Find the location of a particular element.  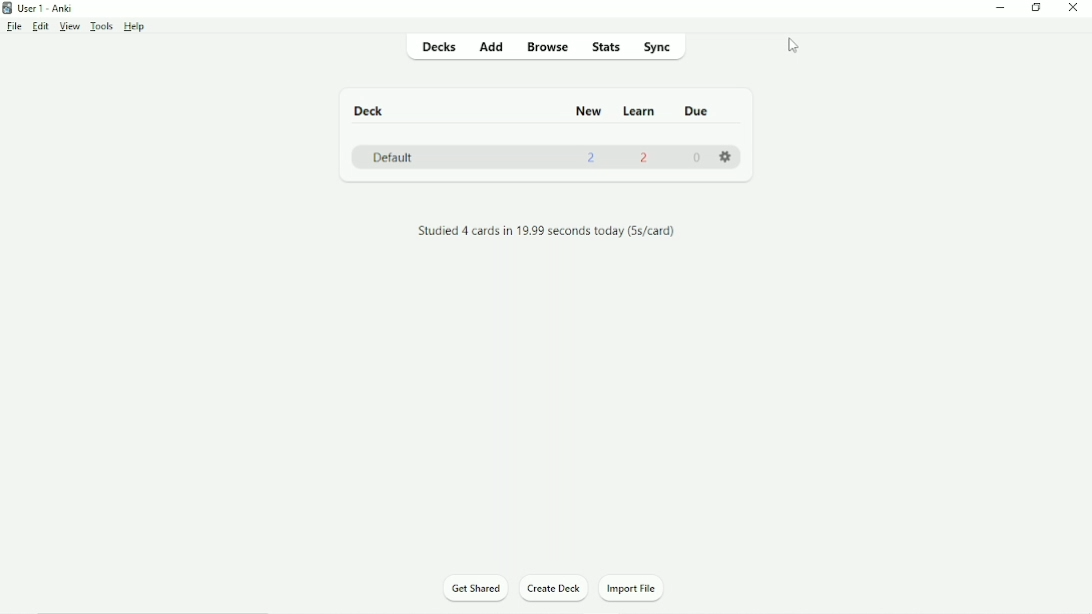

View is located at coordinates (71, 27).